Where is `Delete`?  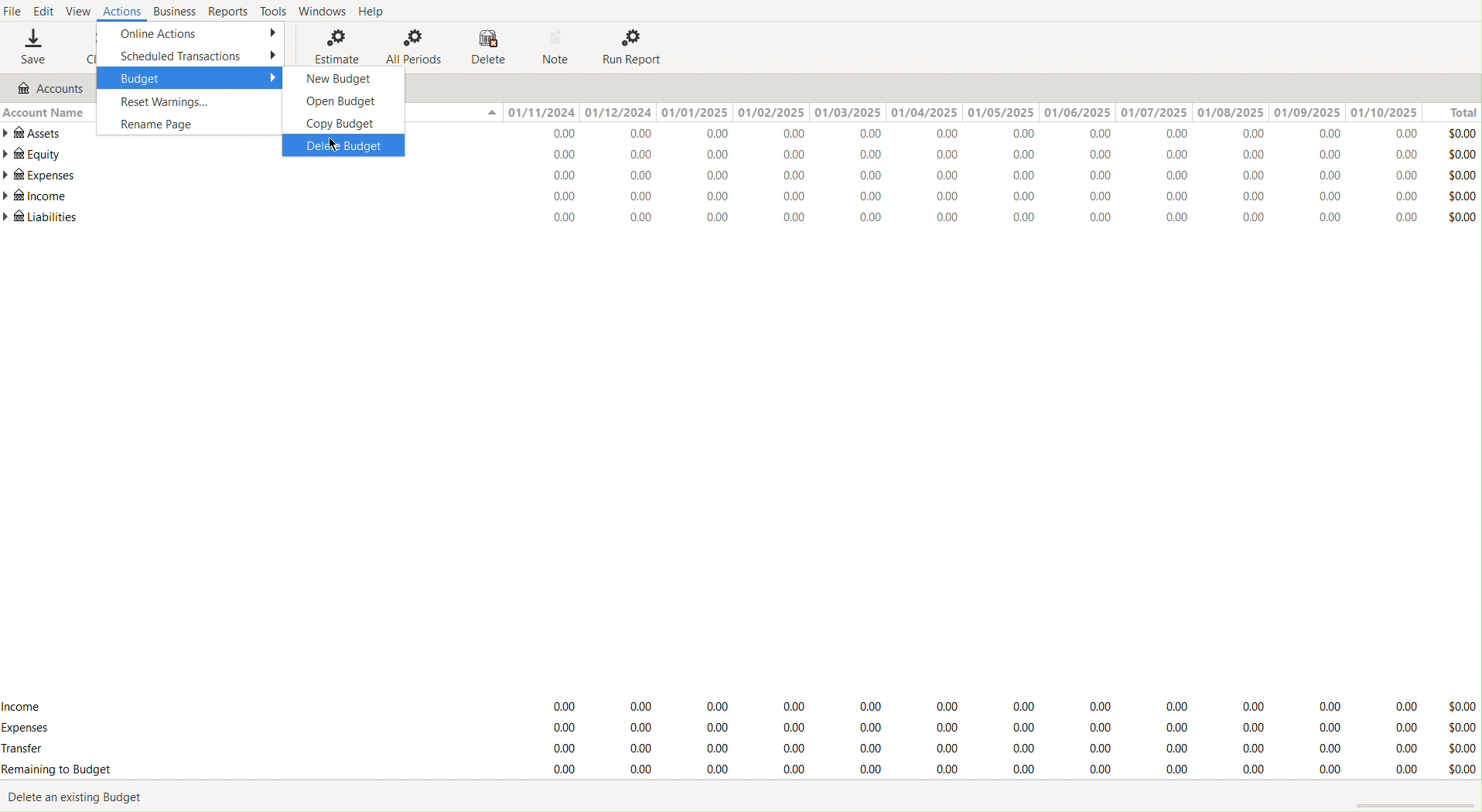 Delete is located at coordinates (487, 46).